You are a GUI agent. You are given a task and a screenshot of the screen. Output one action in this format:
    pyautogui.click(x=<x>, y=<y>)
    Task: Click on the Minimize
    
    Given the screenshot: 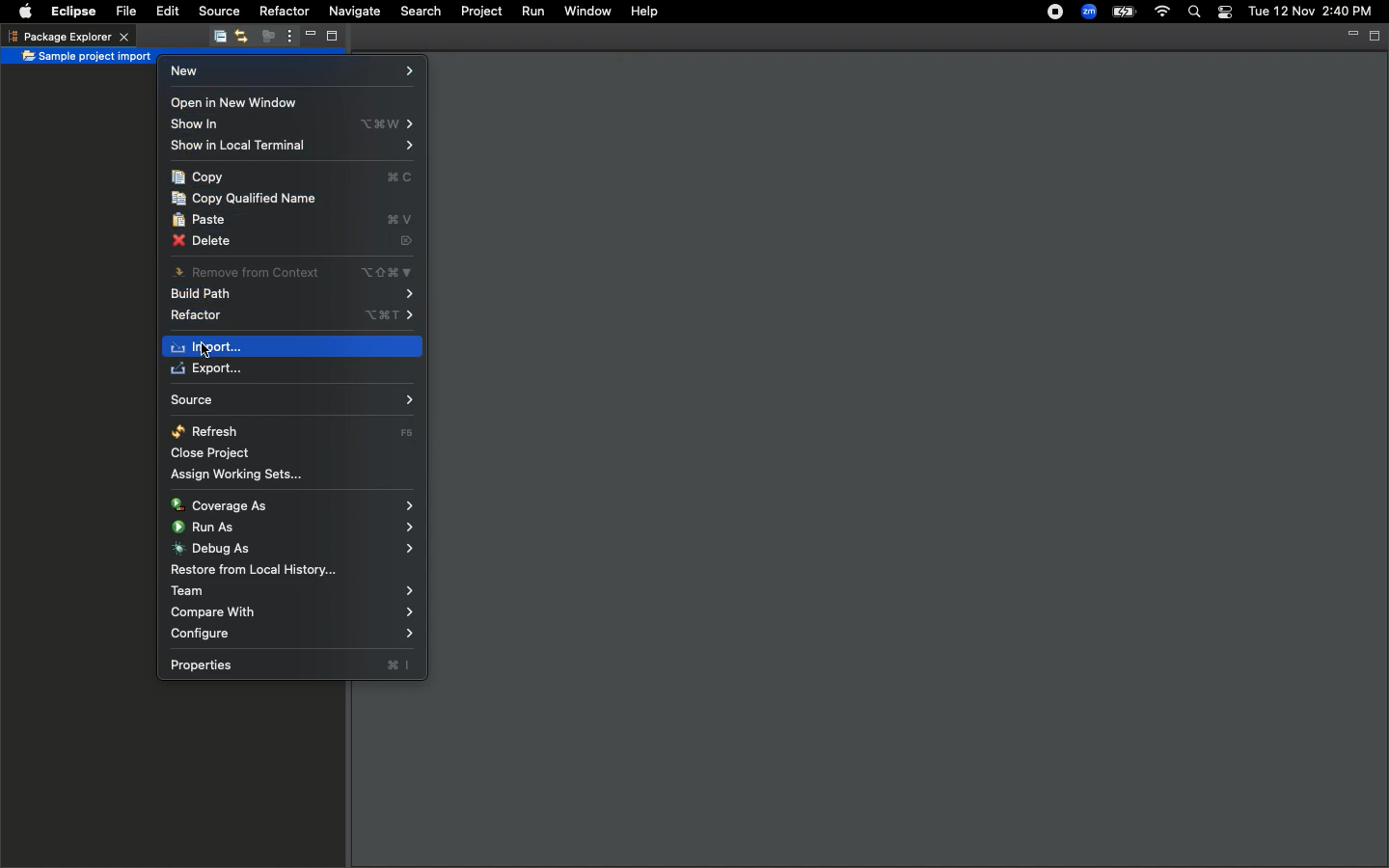 What is the action you would take?
    pyautogui.click(x=305, y=38)
    